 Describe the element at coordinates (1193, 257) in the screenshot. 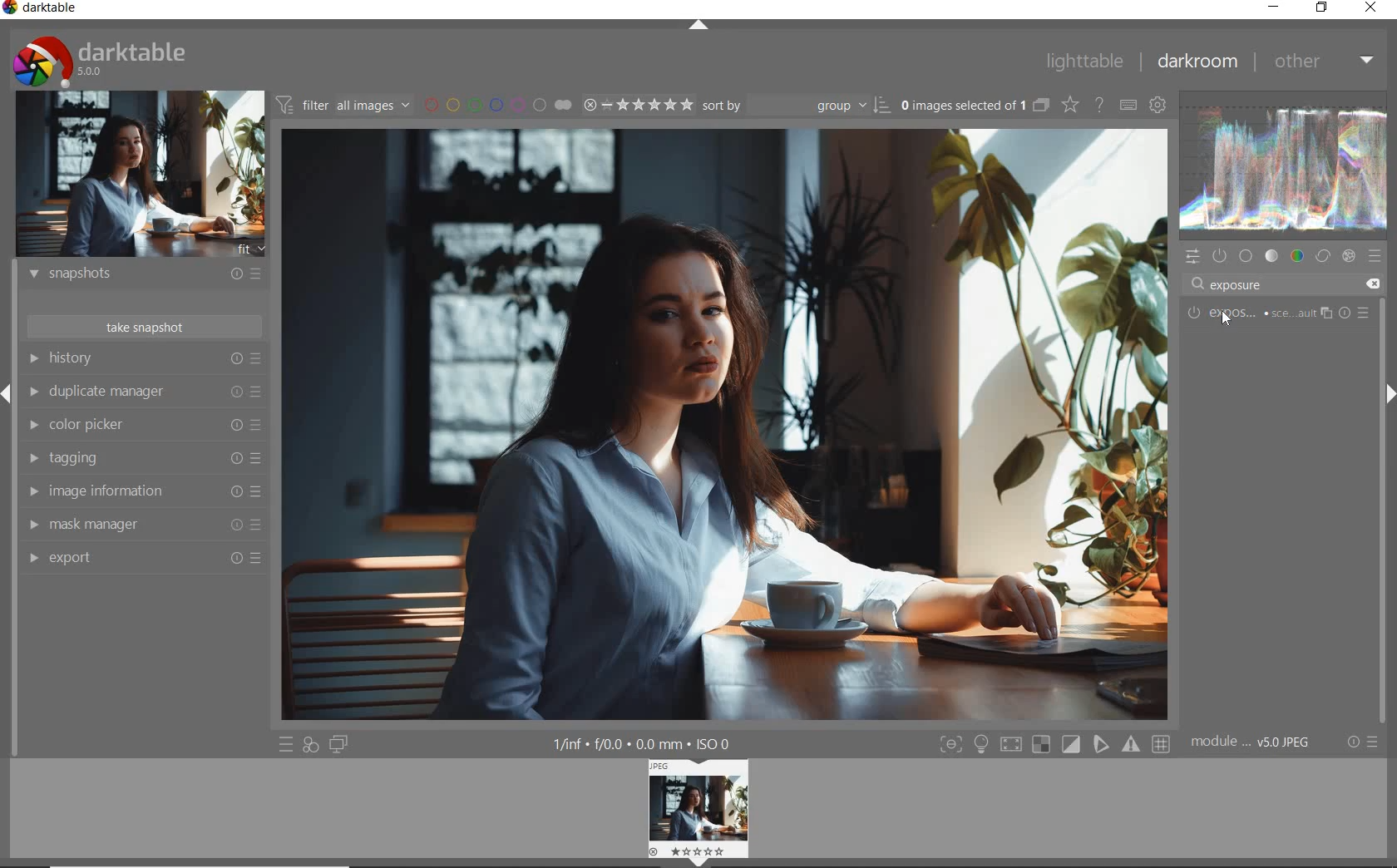

I see `quick access panel` at that location.